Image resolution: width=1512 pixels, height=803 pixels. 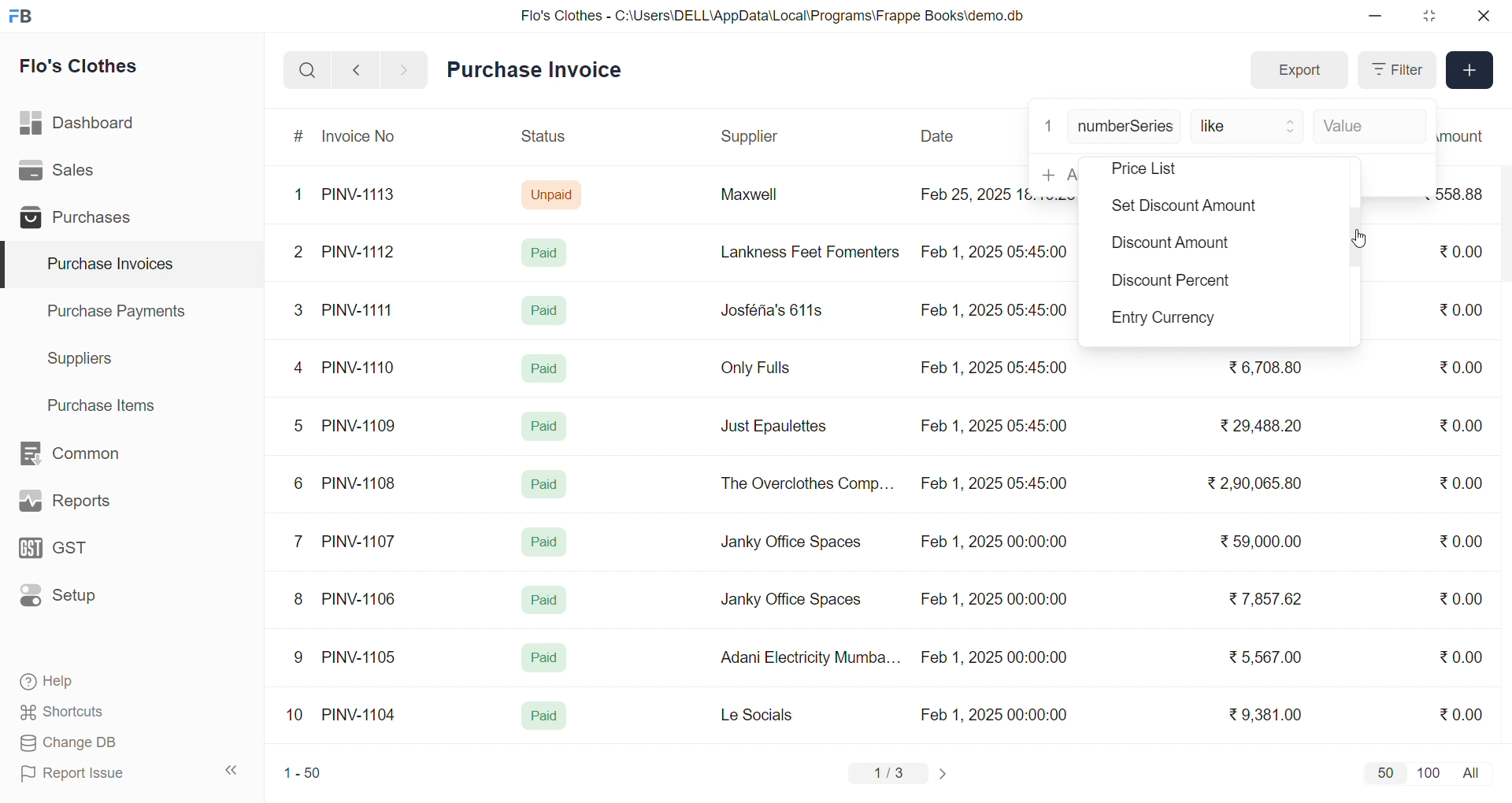 What do you see at coordinates (83, 358) in the screenshot?
I see `Suppliers` at bounding box center [83, 358].